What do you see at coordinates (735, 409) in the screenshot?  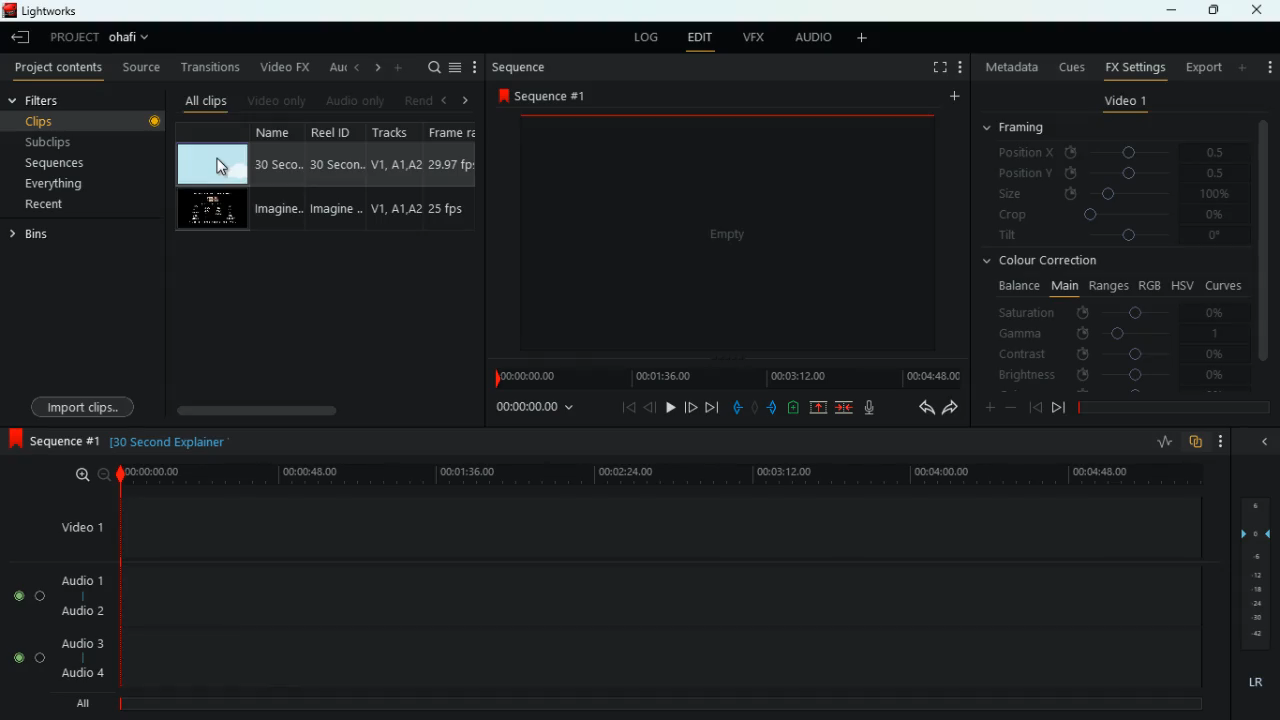 I see `pull` at bounding box center [735, 409].